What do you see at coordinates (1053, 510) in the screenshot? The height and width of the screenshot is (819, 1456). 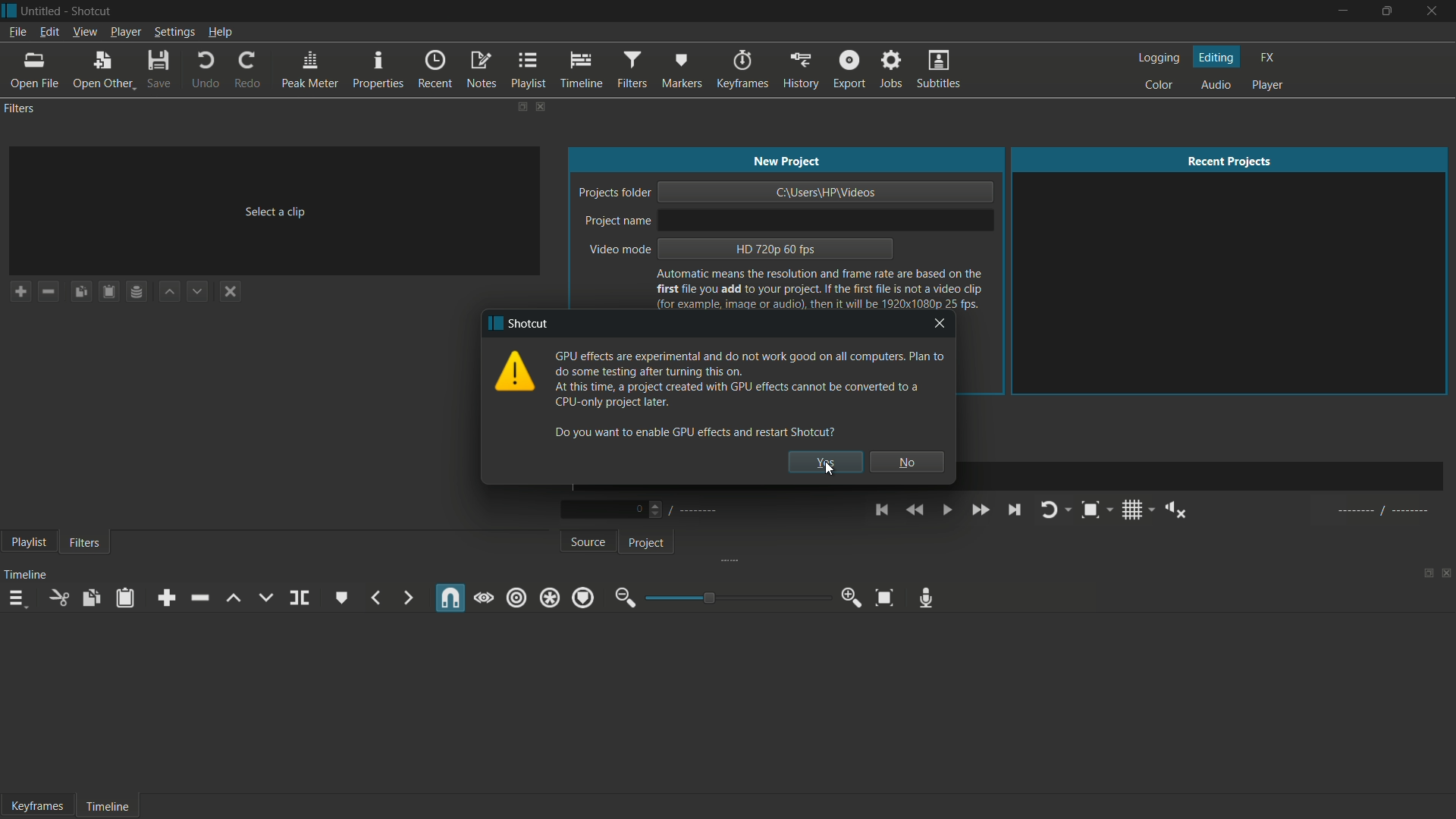 I see `toggle player looping` at bounding box center [1053, 510].